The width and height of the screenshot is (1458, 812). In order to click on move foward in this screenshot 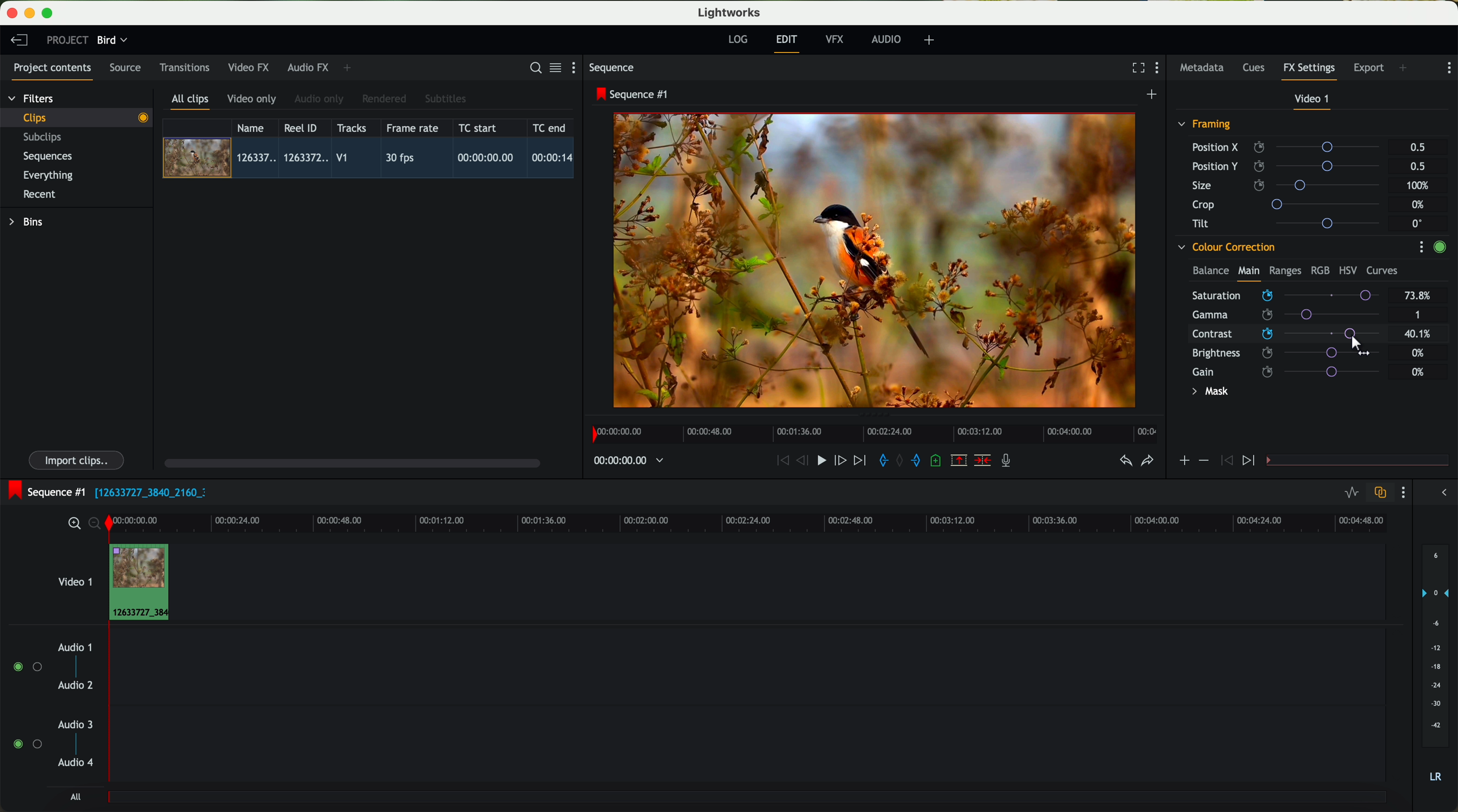, I will do `click(859, 461)`.